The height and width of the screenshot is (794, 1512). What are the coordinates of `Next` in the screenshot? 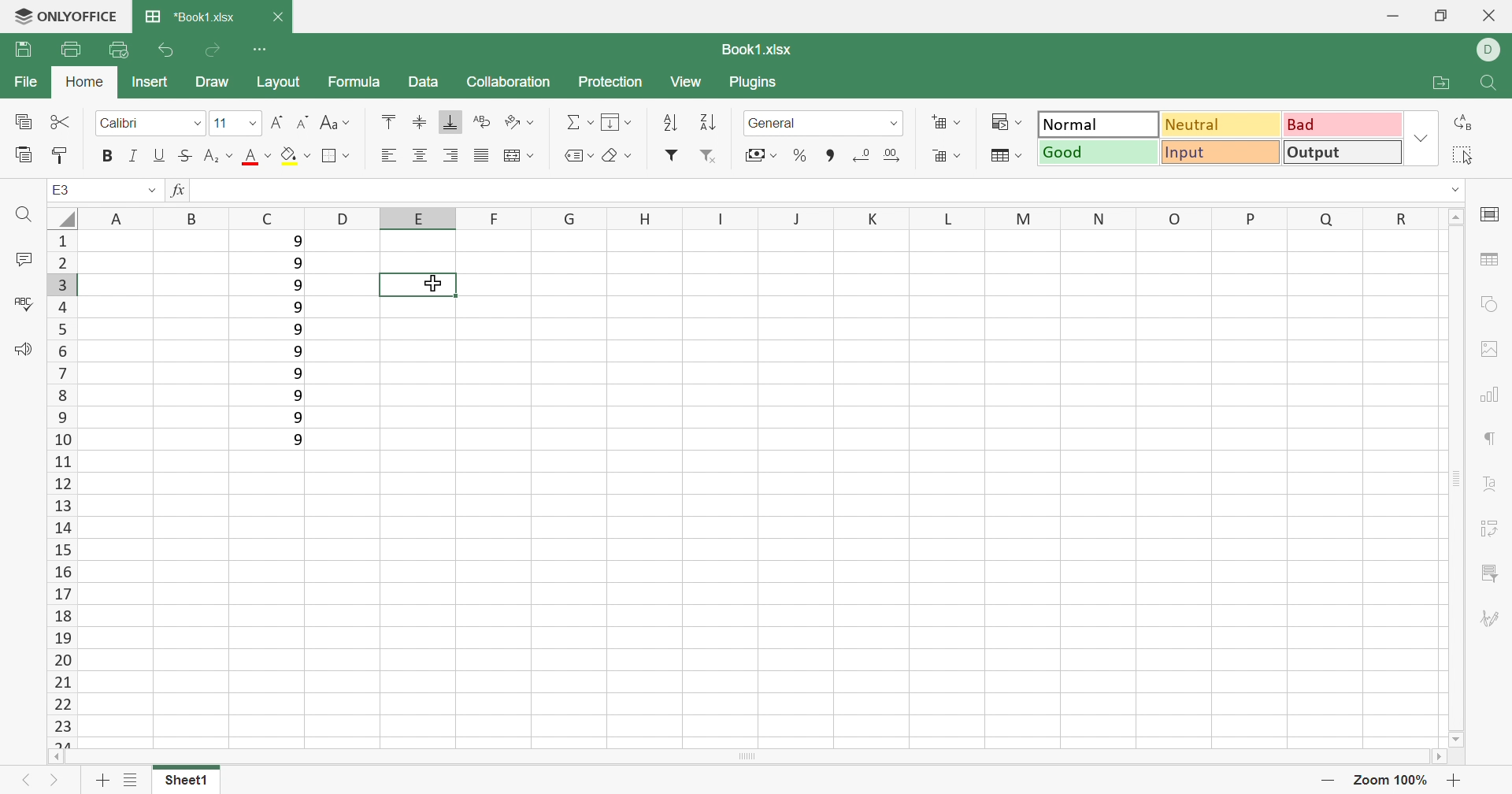 It's located at (55, 779).